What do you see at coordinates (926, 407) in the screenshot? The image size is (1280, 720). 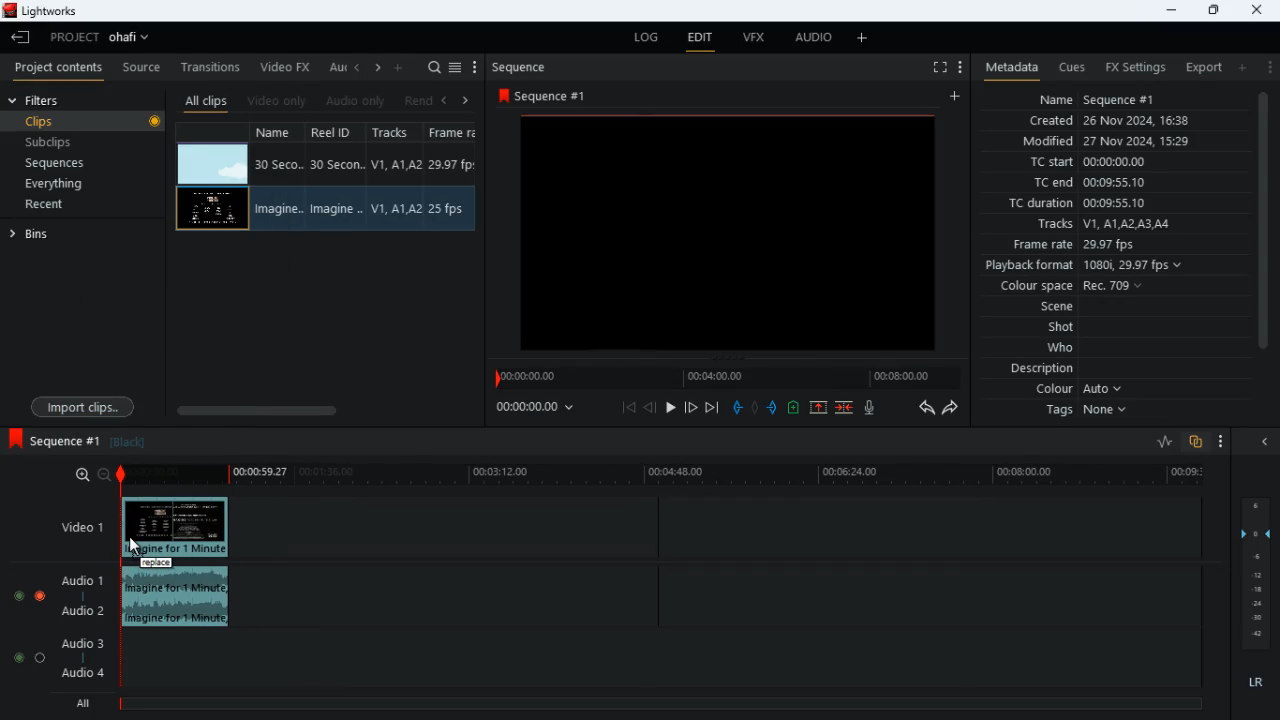 I see `backward` at bounding box center [926, 407].